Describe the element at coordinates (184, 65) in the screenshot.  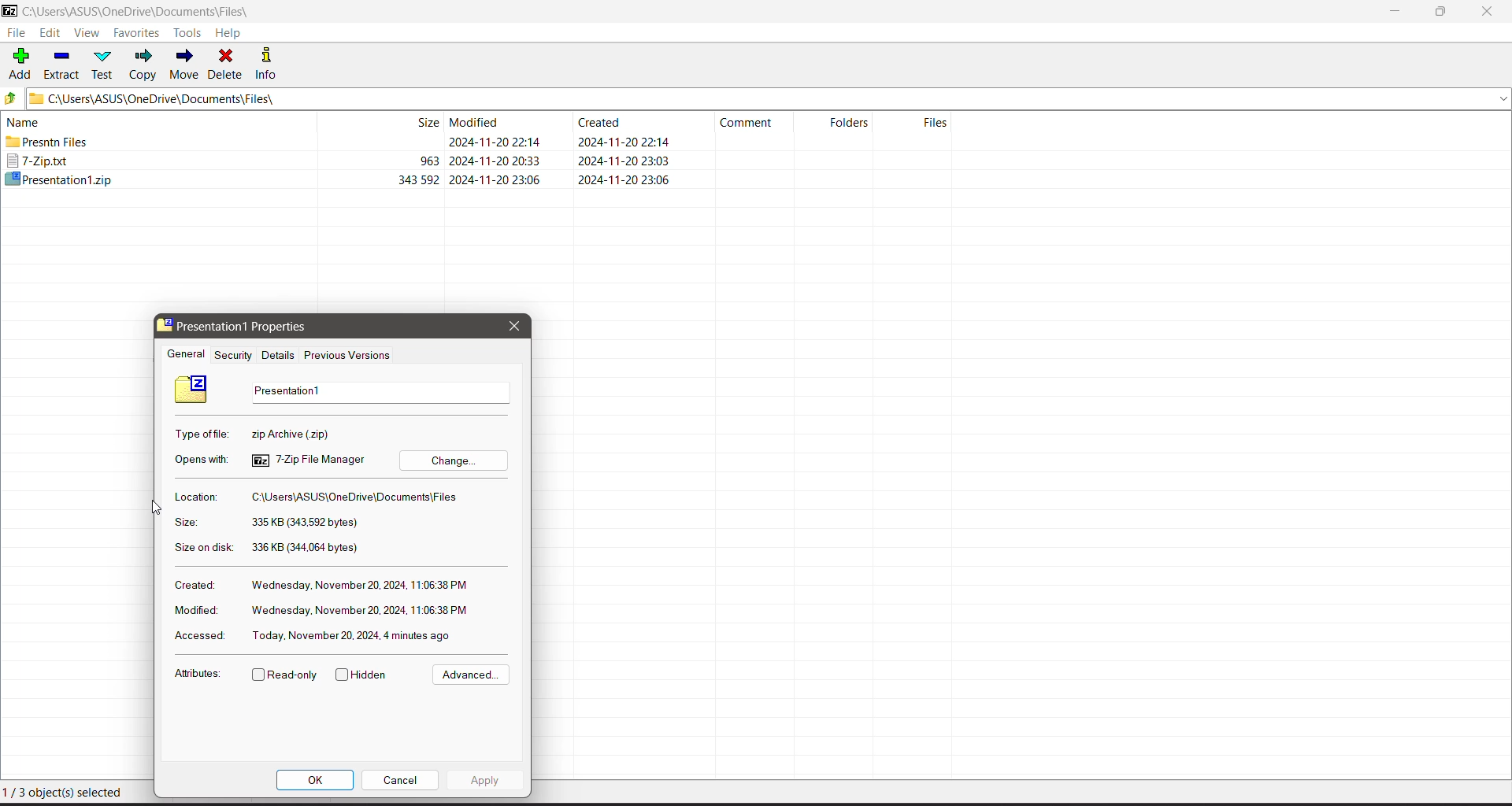
I see `Move` at that location.